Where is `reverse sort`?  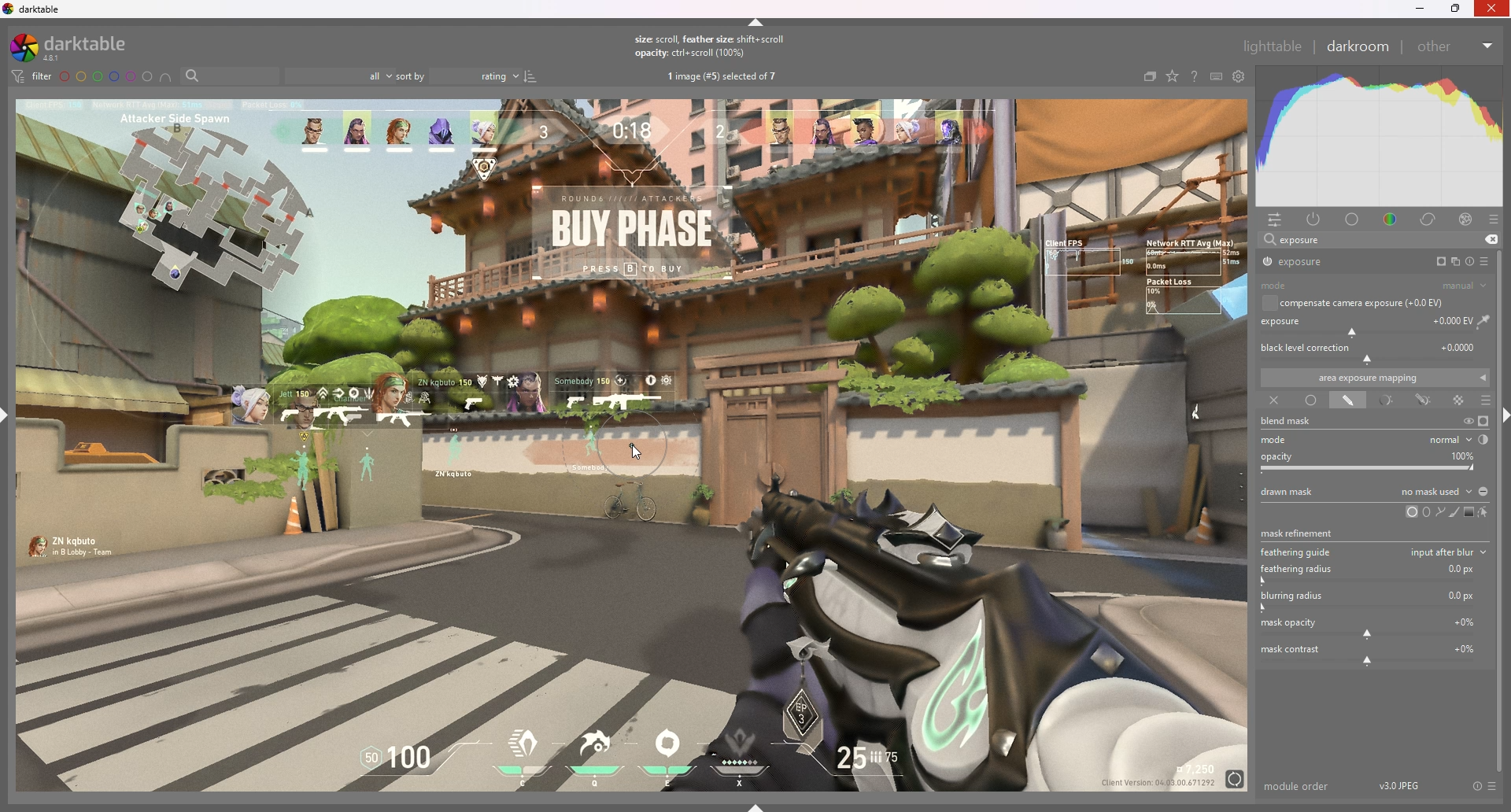
reverse sort is located at coordinates (531, 76).